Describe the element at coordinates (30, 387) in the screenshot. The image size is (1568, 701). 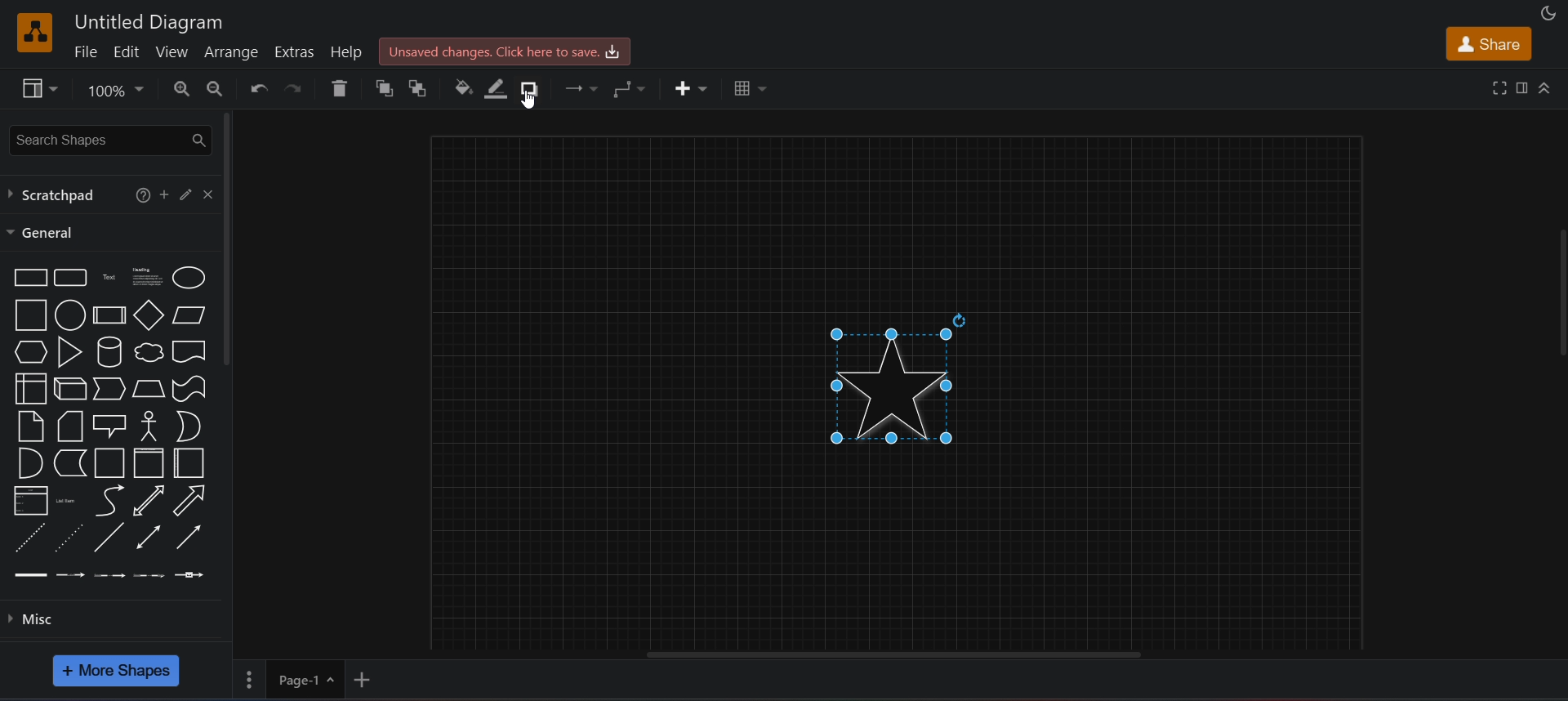
I see `internal storage` at that location.